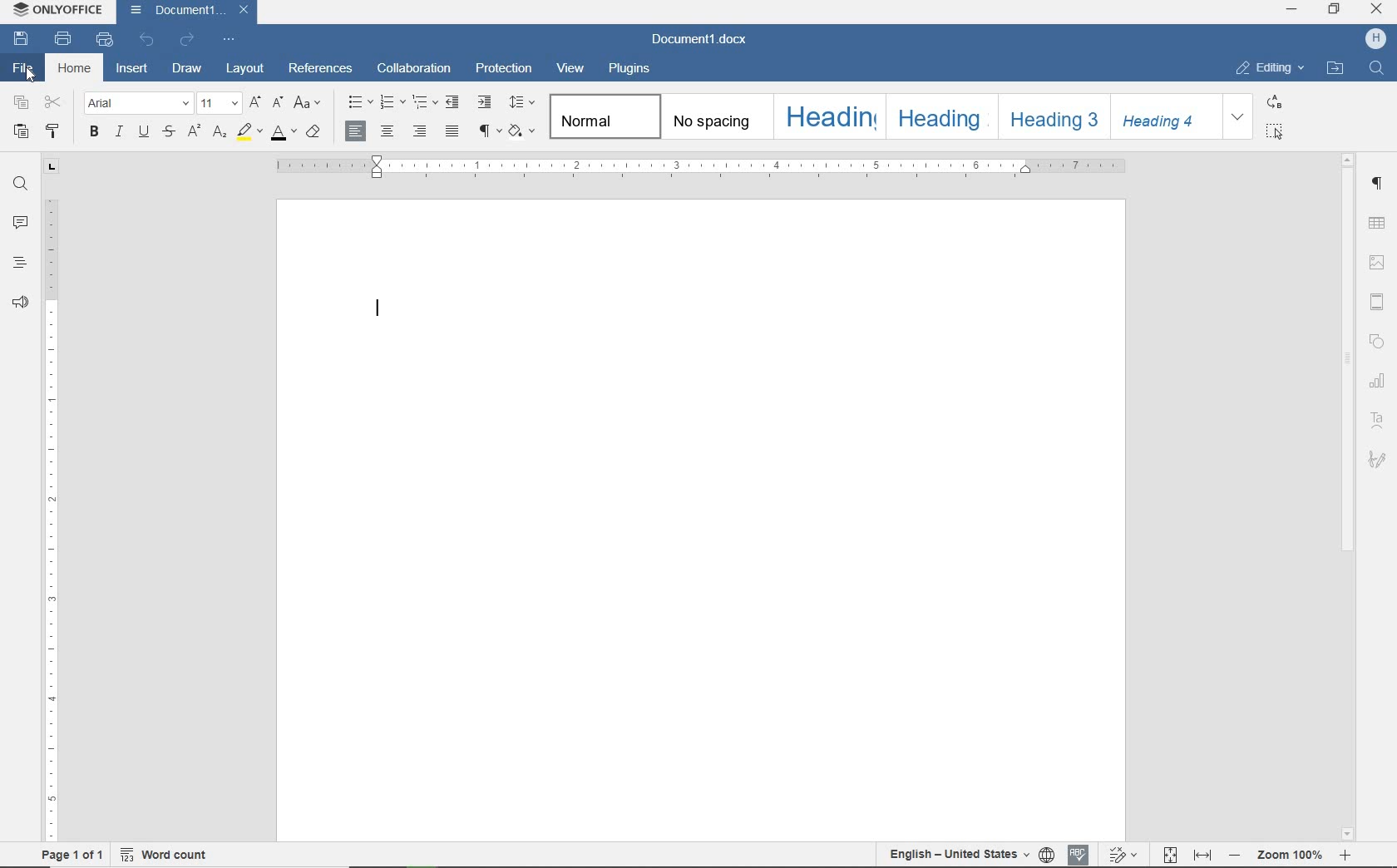 This screenshot has height=868, width=1397. Describe the element at coordinates (713, 116) in the screenshot. I see `no spacing` at that location.